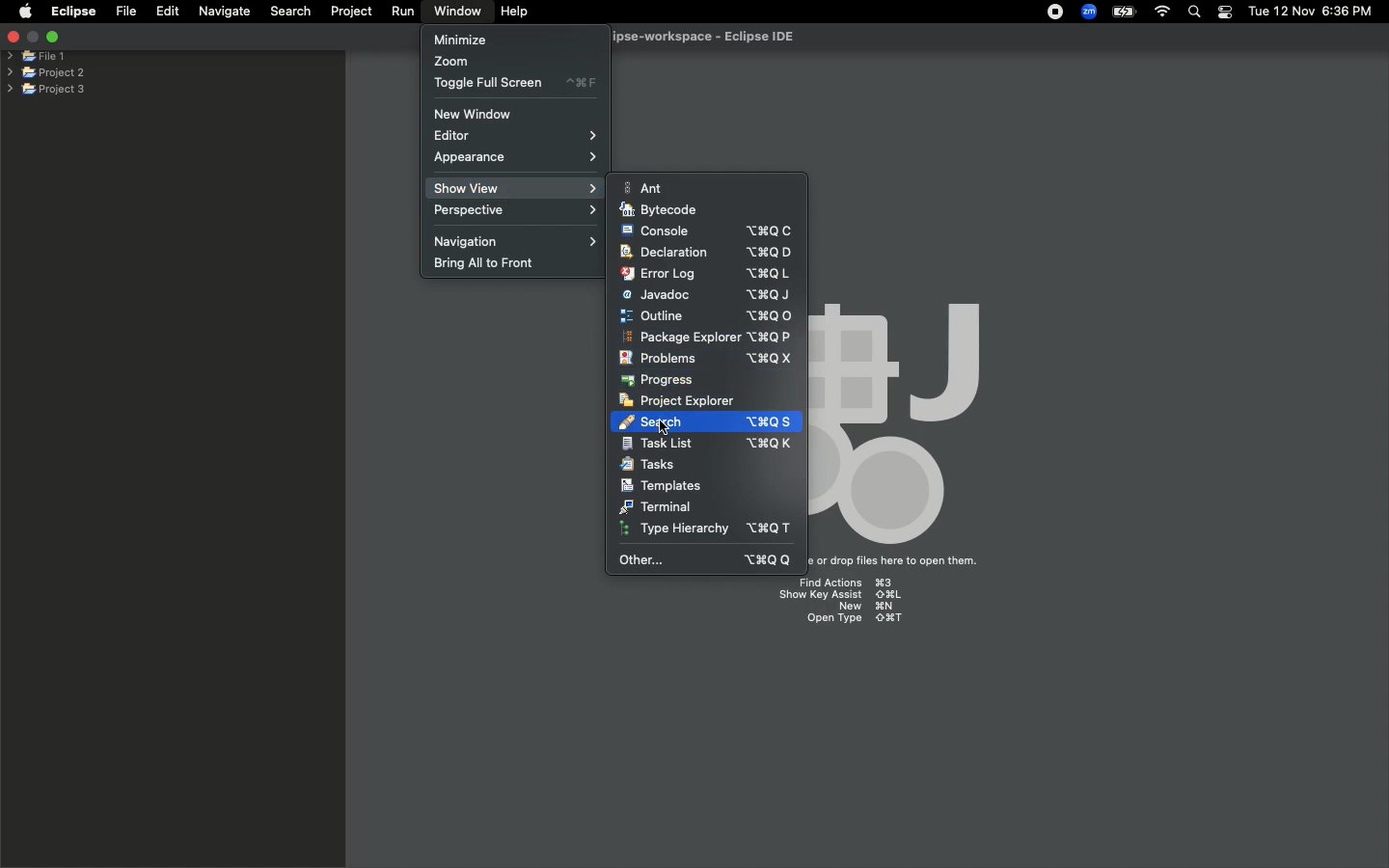 The height and width of the screenshot is (868, 1389). I want to click on Internet, so click(1162, 13).